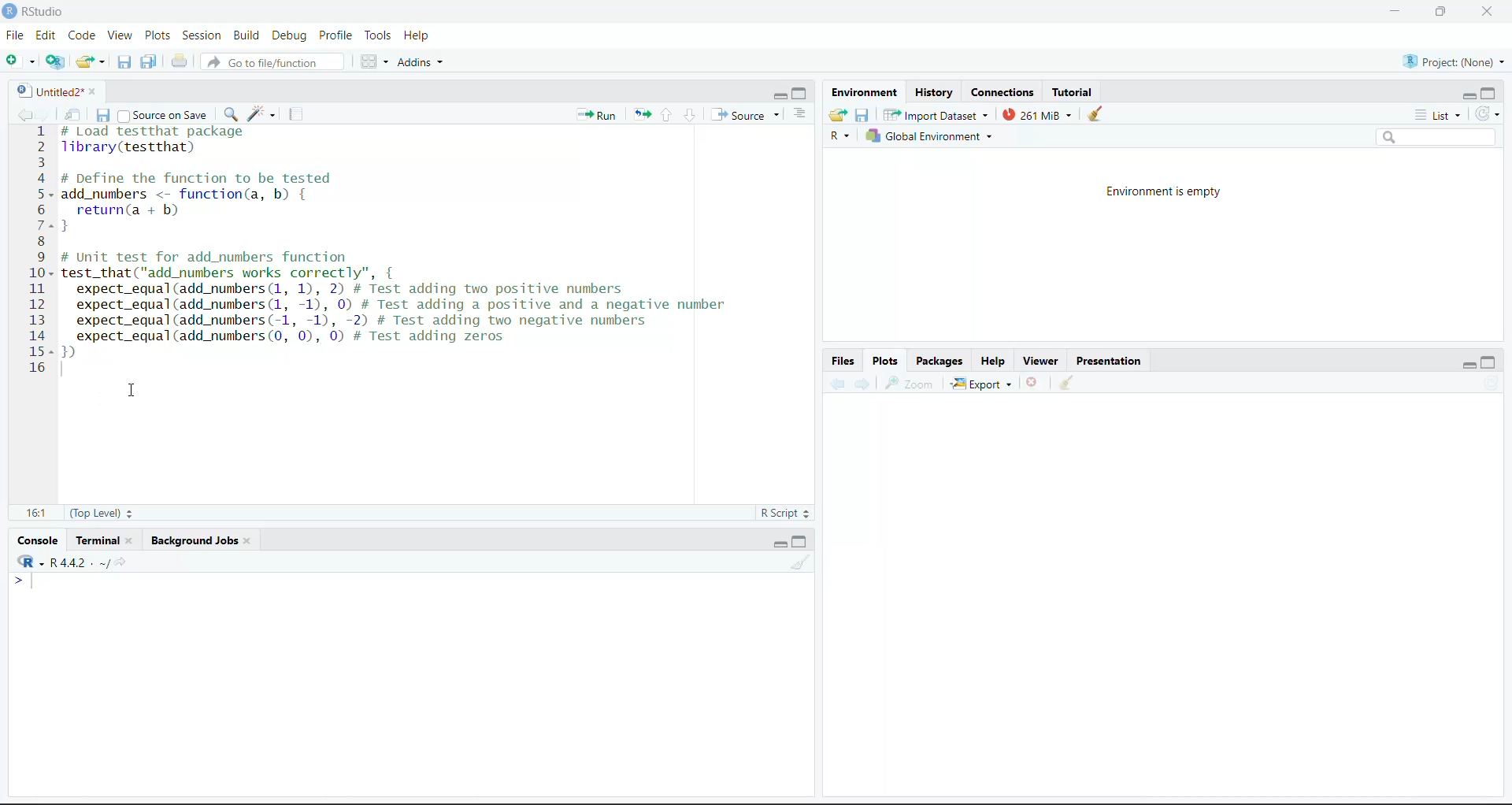  I want to click on Show document outline, so click(801, 113).